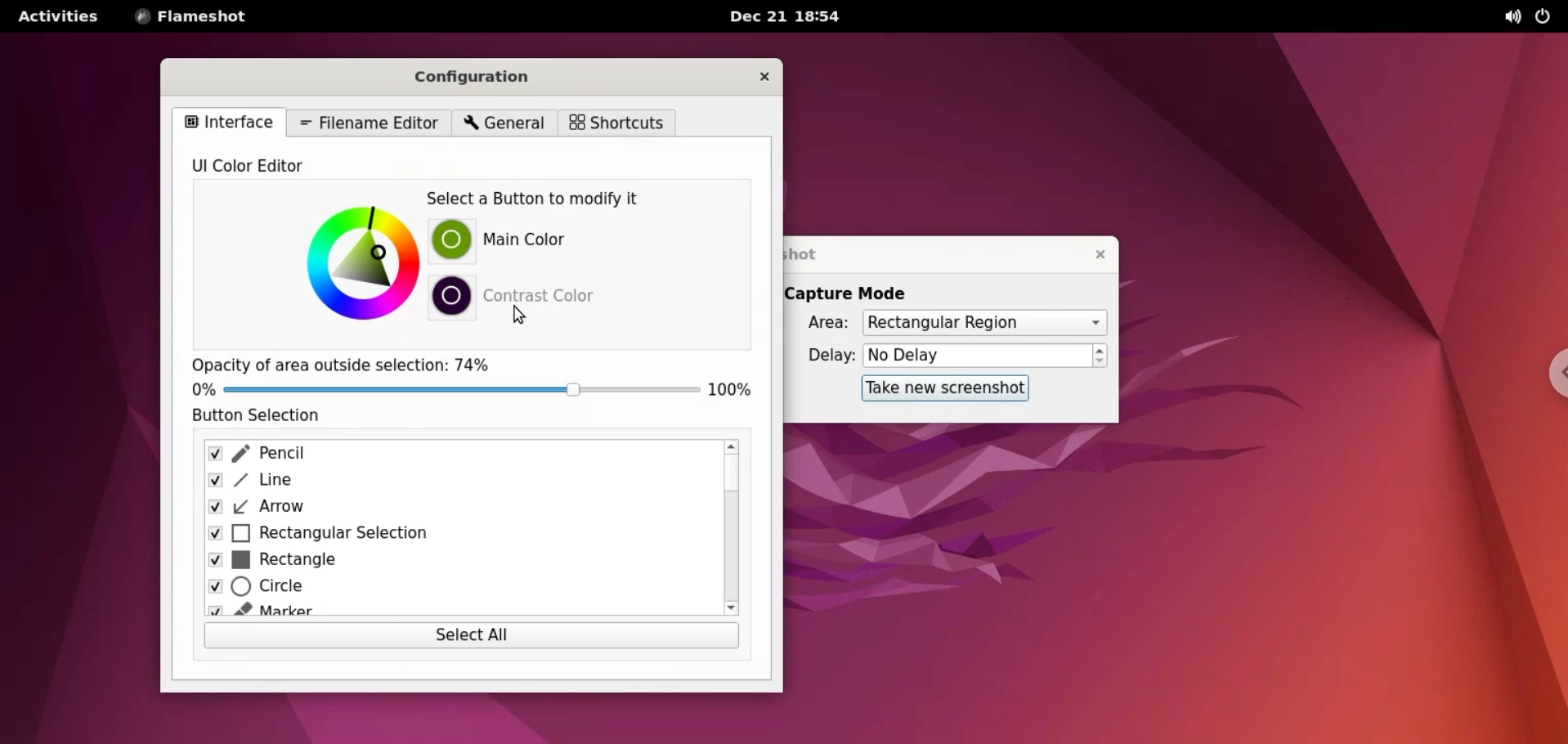 The width and height of the screenshot is (1568, 744). What do you see at coordinates (617, 123) in the screenshot?
I see `shortcuts` at bounding box center [617, 123].